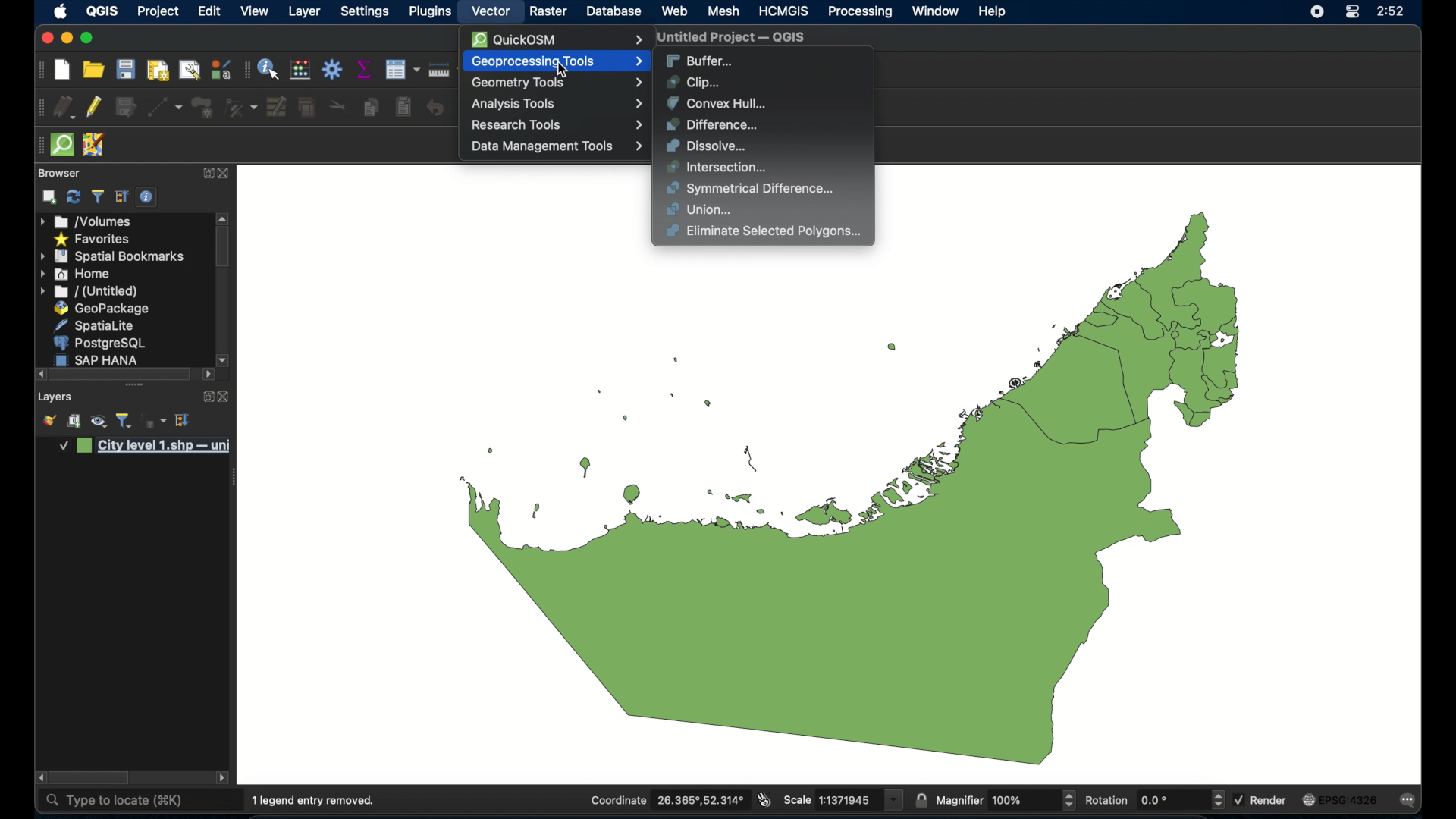 The height and width of the screenshot is (819, 1456). What do you see at coordinates (1006, 799) in the screenshot?
I see `magnifier` at bounding box center [1006, 799].